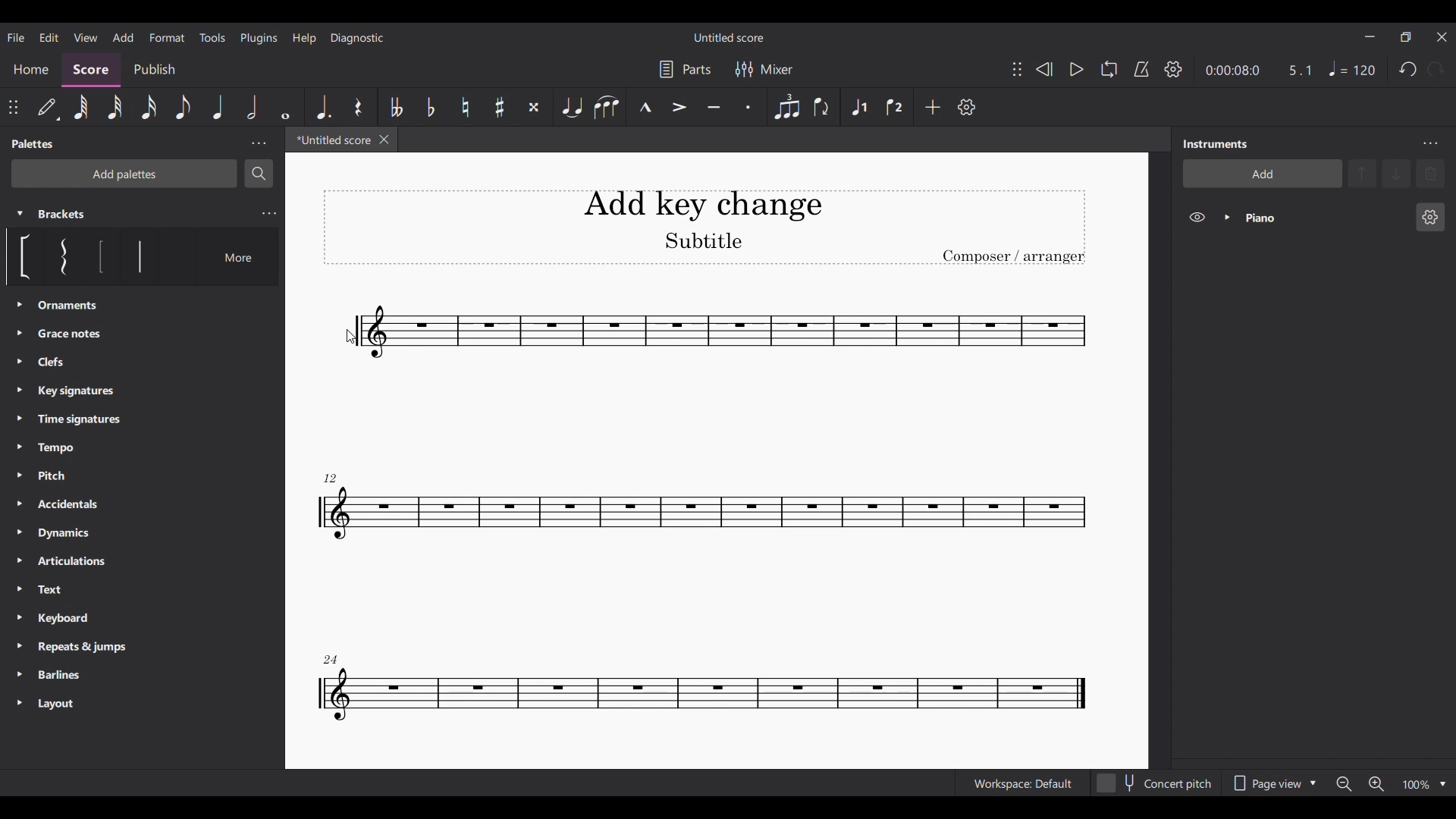 The height and width of the screenshot is (819, 1456). Describe the element at coordinates (384, 140) in the screenshot. I see `Close tab` at that location.